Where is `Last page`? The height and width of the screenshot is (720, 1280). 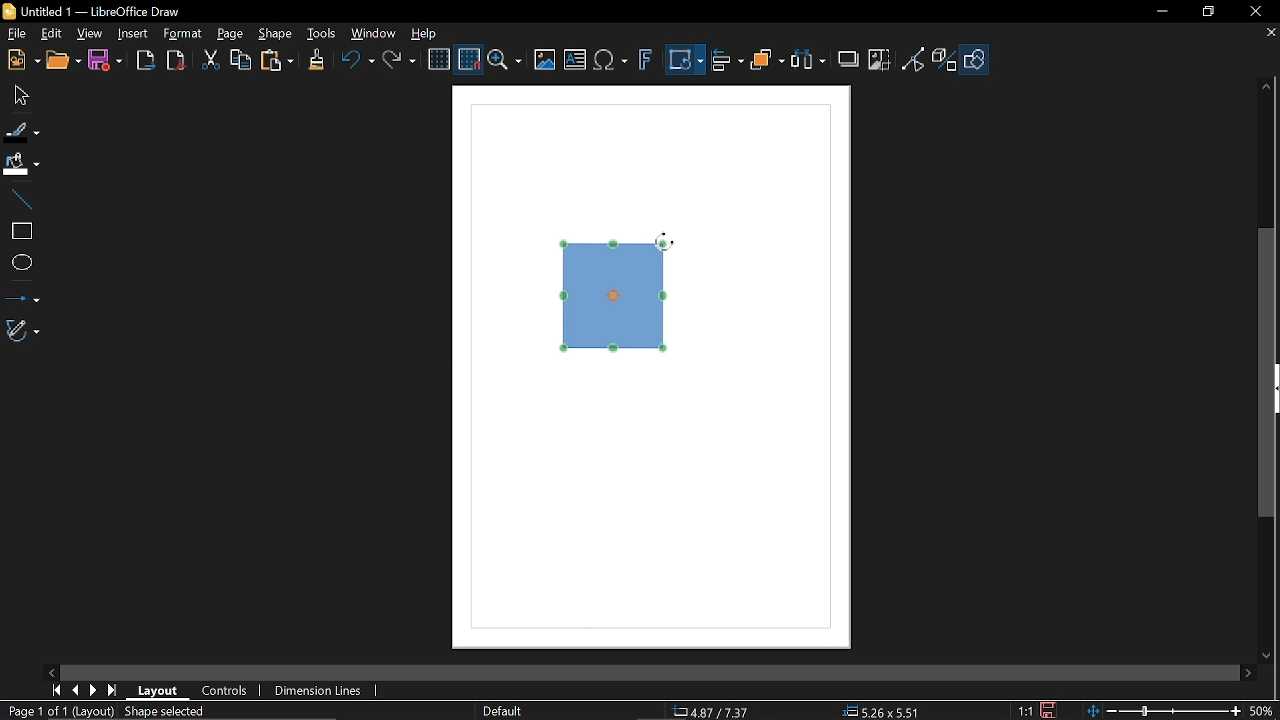
Last page is located at coordinates (112, 691).